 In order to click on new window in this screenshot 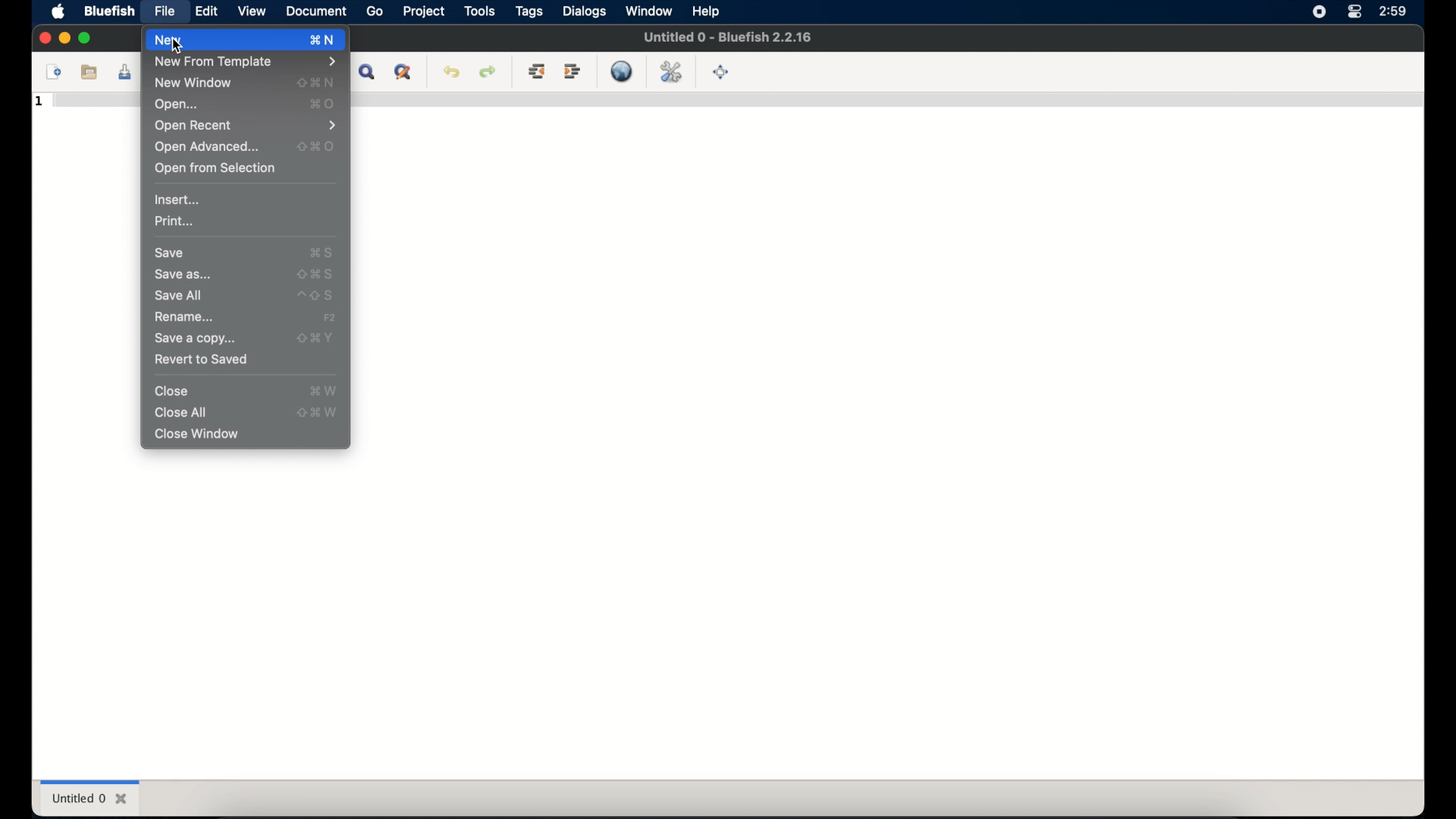, I will do `click(193, 83)`.